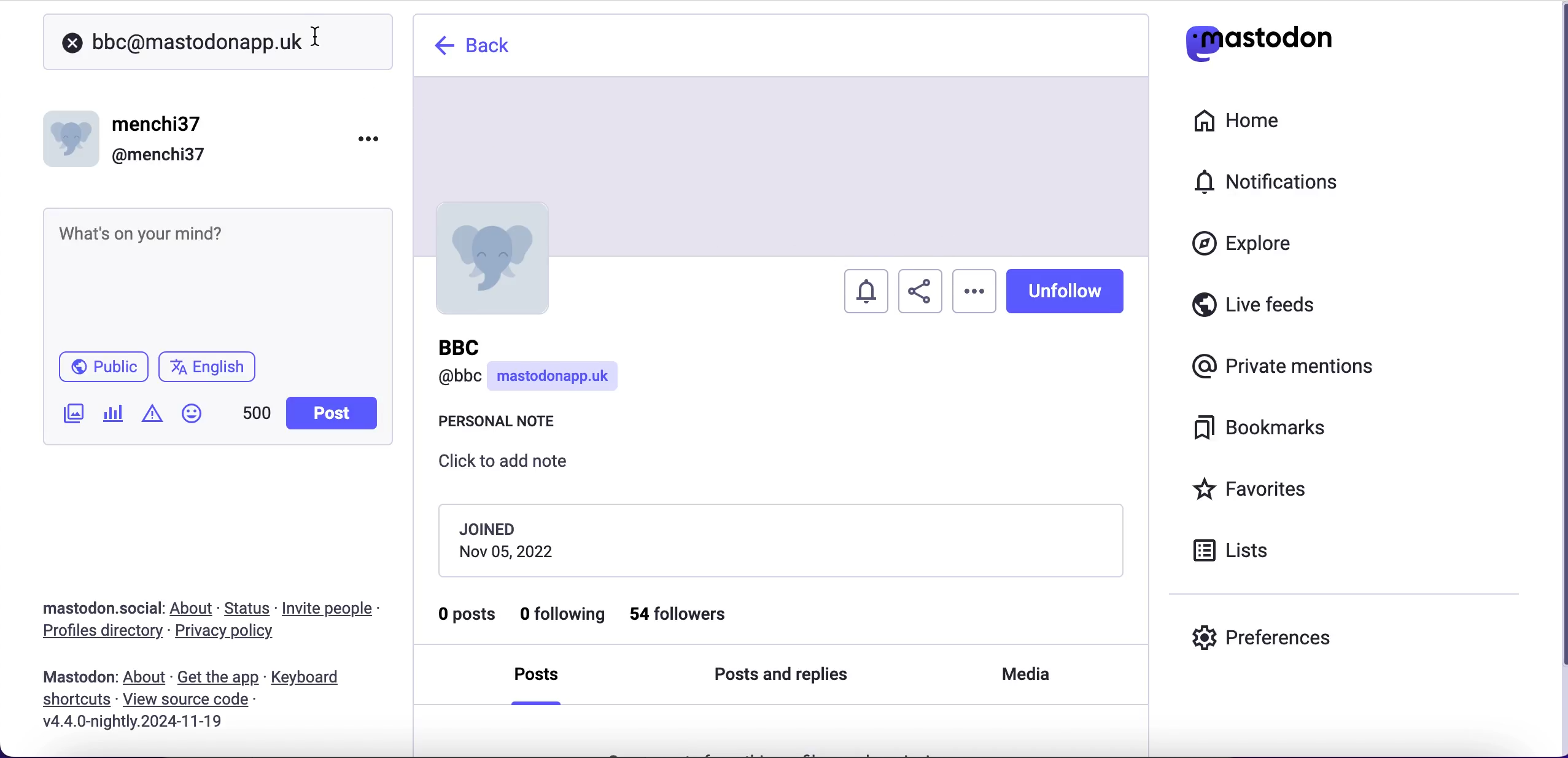 Image resolution: width=1568 pixels, height=758 pixels. Describe the element at coordinates (95, 633) in the screenshot. I see `profiles directory` at that location.